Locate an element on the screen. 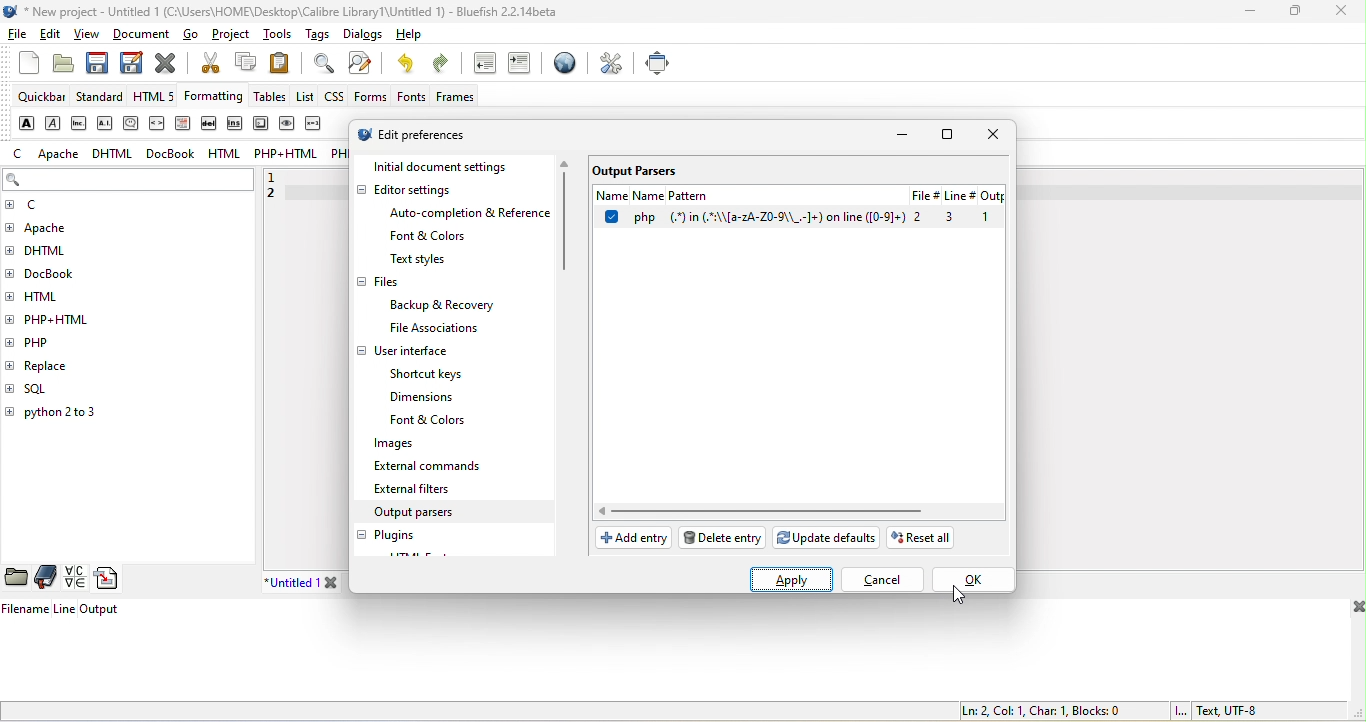  close is located at coordinates (168, 62).